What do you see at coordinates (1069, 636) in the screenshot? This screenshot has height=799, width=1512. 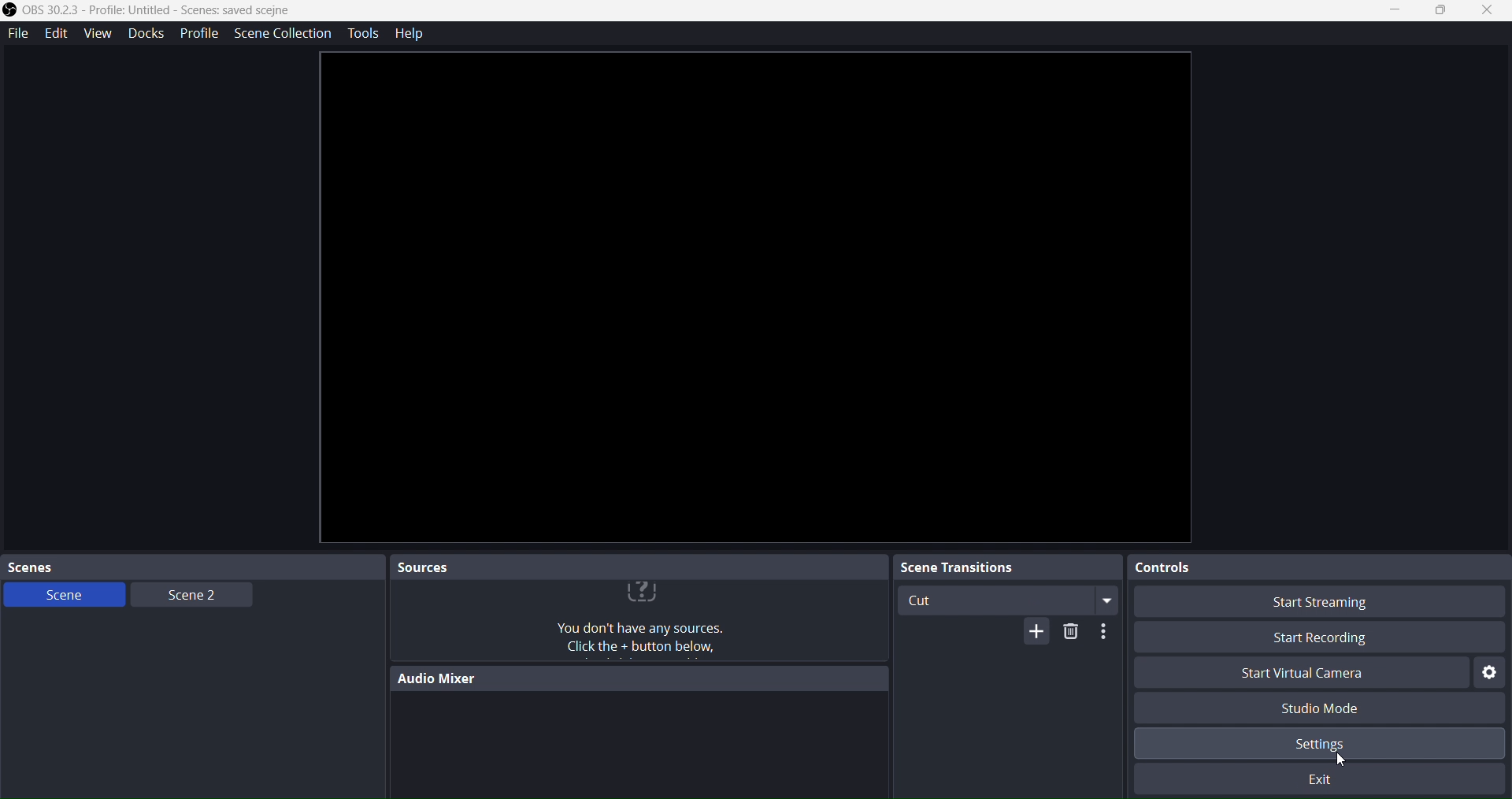 I see `Delete` at bounding box center [1069, 636].